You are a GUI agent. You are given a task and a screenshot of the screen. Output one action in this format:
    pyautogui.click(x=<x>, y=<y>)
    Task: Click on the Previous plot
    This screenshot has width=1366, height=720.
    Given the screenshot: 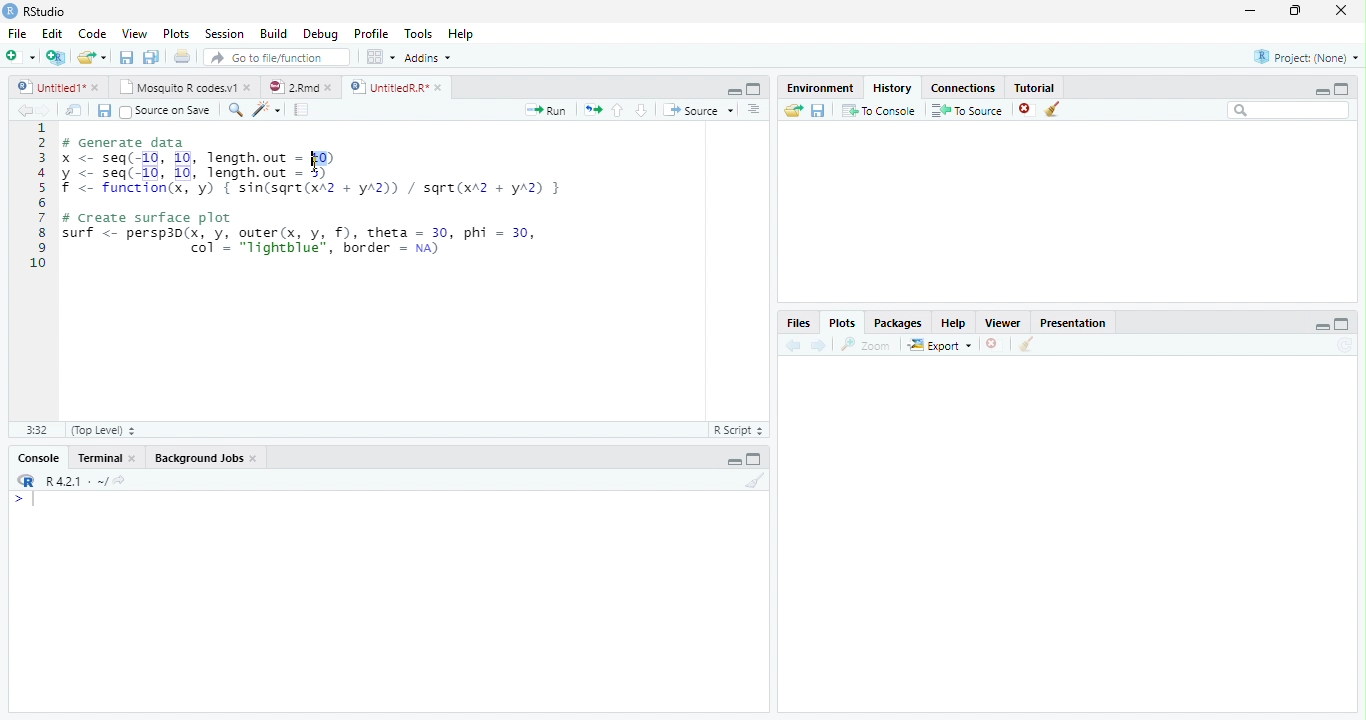 What is the action you would take?
    pyautogui.click(x=793, y=345)
    